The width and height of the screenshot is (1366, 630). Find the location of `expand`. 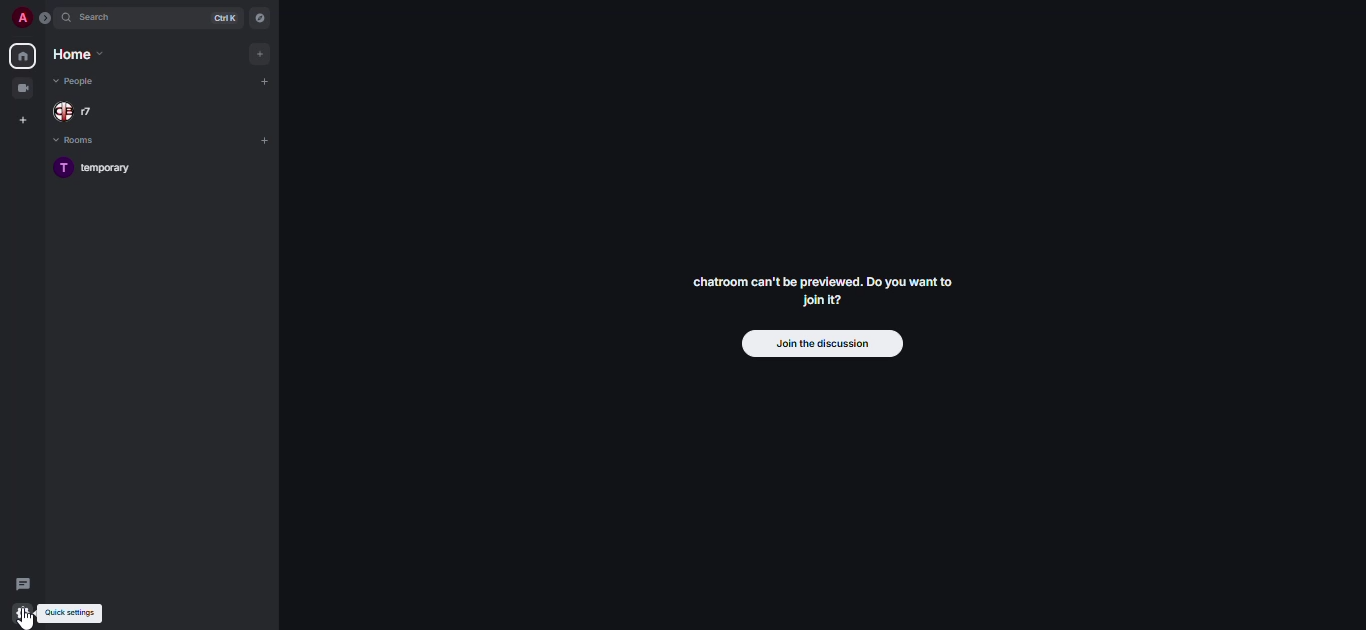

expand is located at coordinates (45, 19).